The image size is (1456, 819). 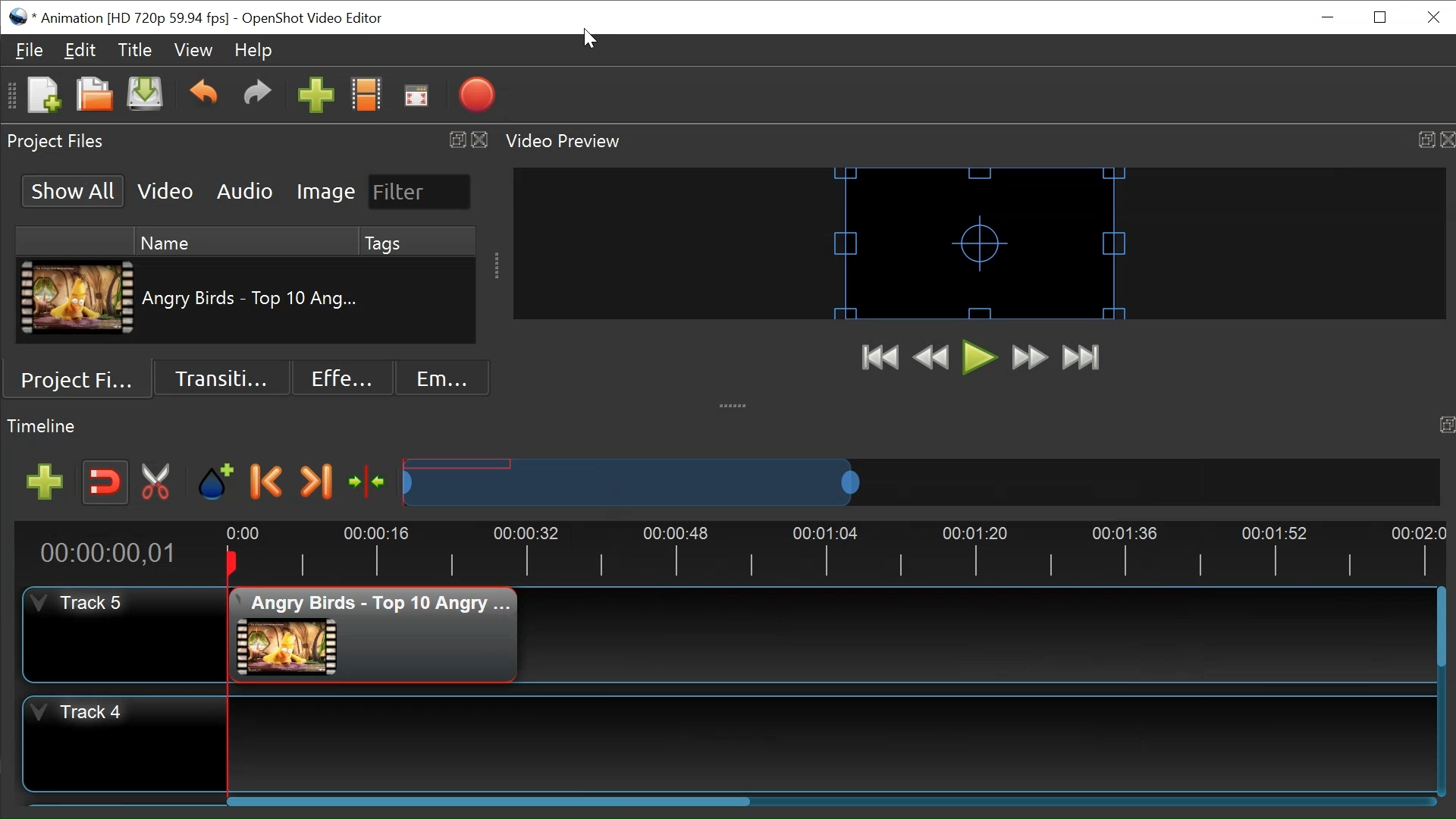 I want to click on Restore, so click(x=1381, y=17).